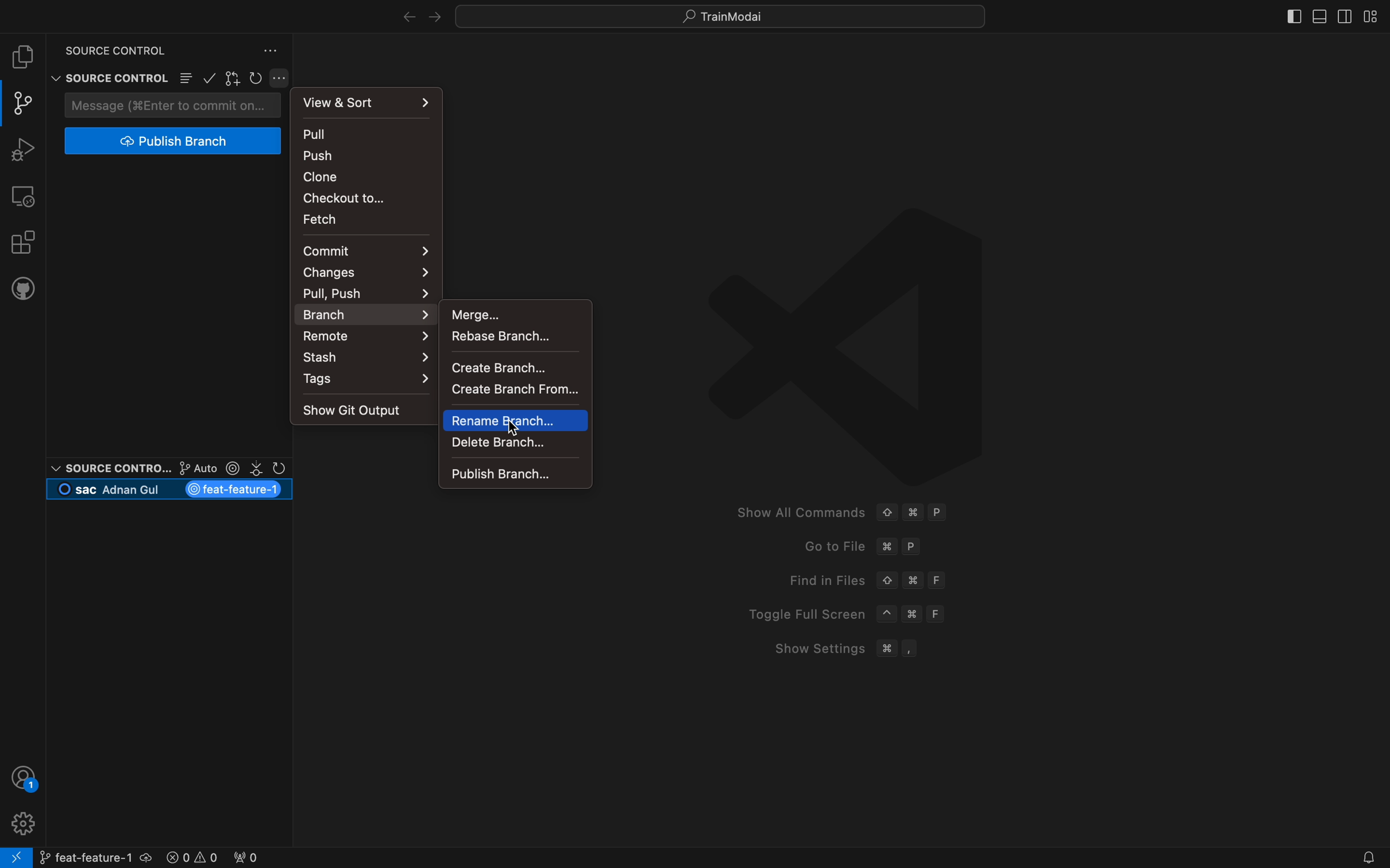 This screenshot has height=868, width=1390. What do you see at coordinates (811, 648) in the screenshot?
I see `Show Settings` at bounding box center [811, 648].